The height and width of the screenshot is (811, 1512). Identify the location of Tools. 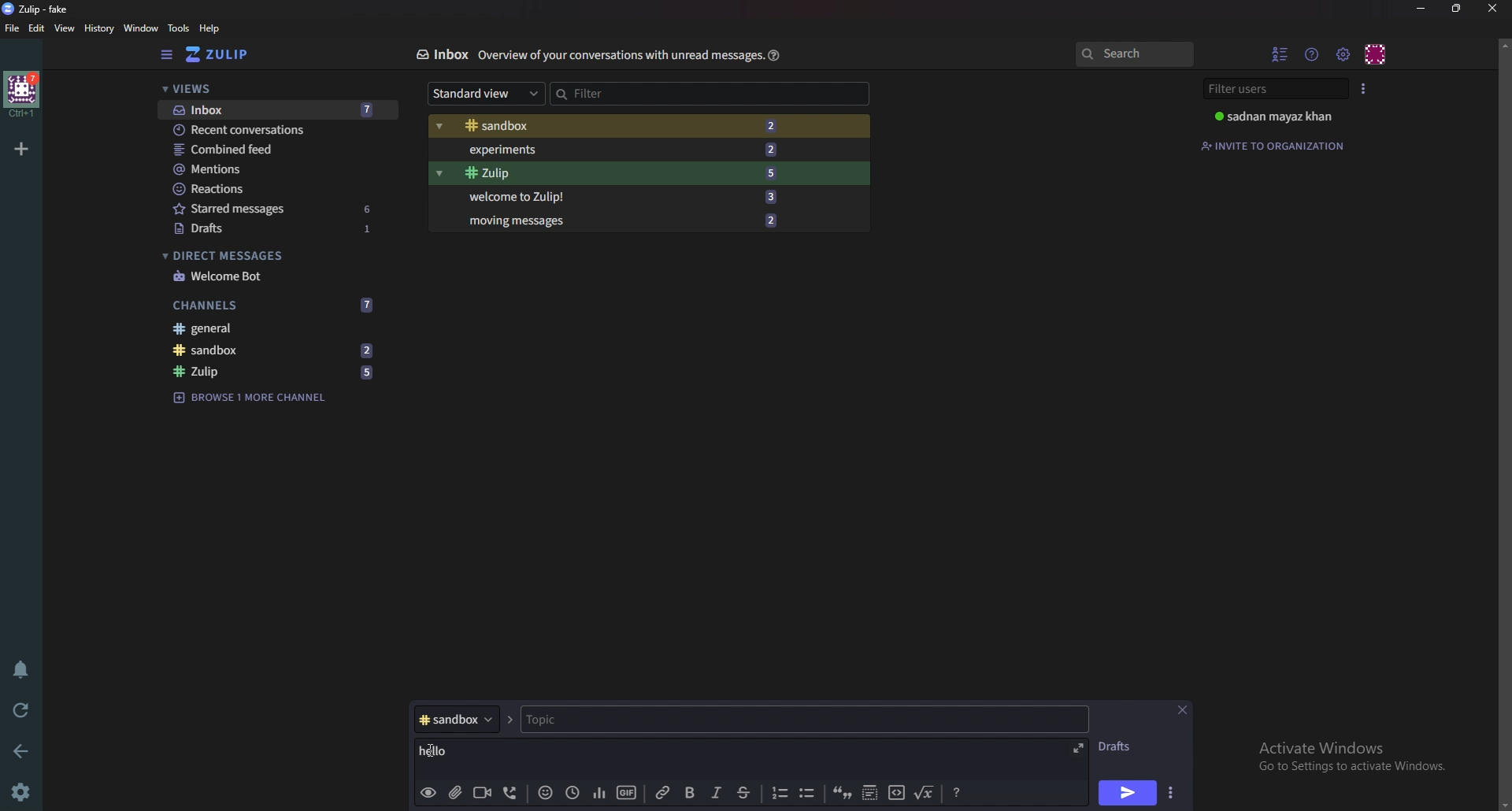
(180, 29).